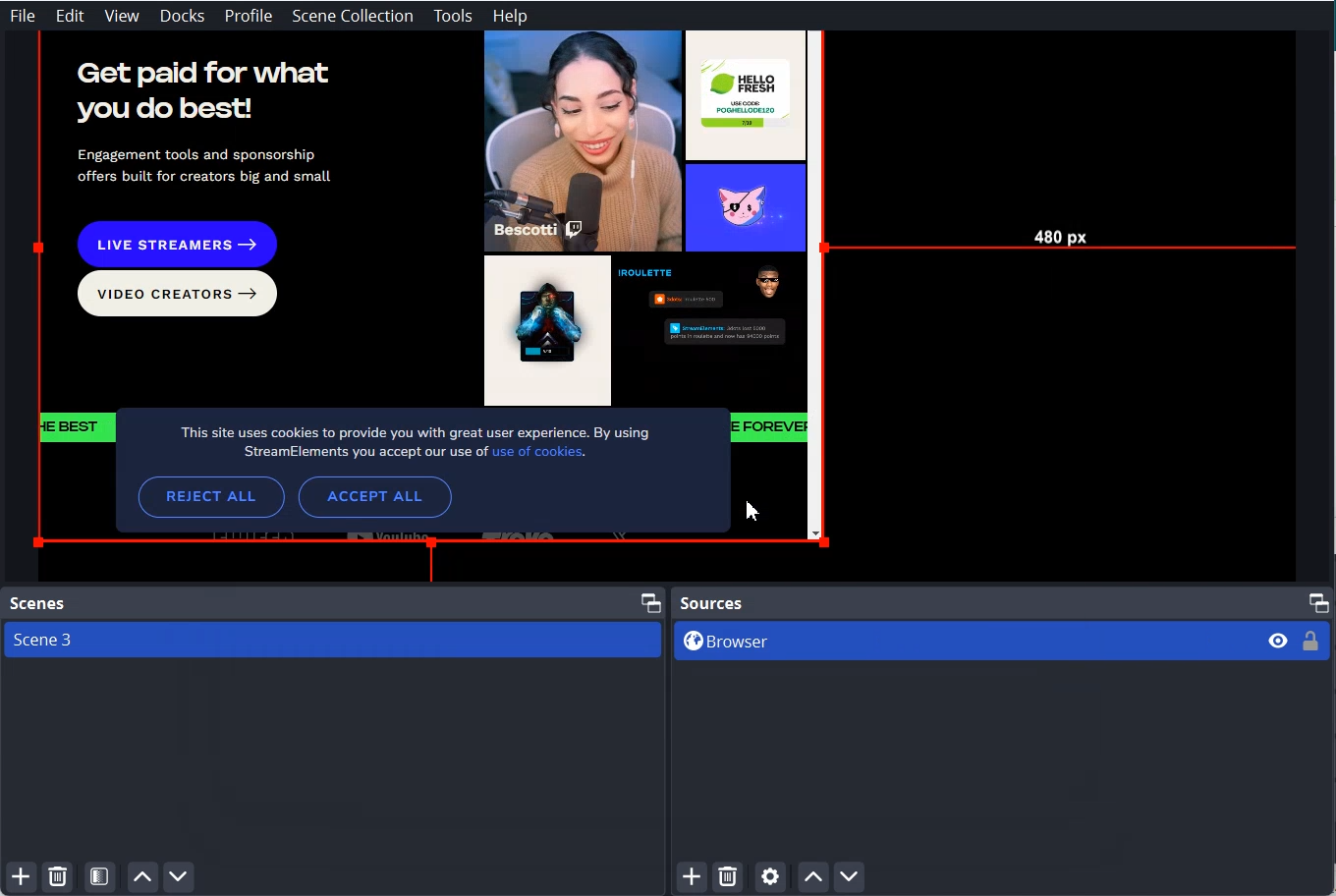 This screenshot has width=1336, height=896. I want to click on Edit, so click(71, 16).